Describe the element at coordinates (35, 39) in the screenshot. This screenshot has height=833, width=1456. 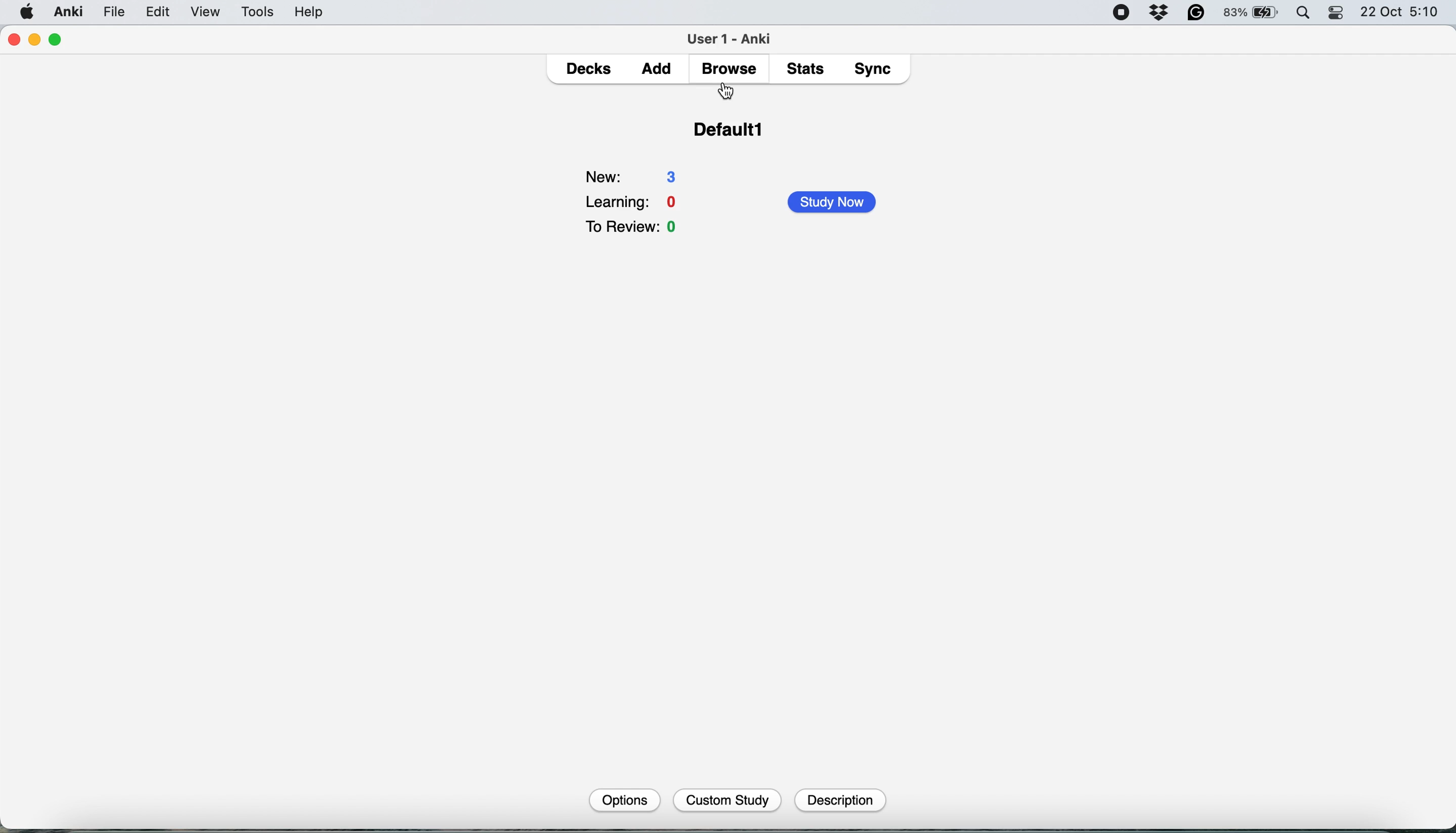
I see `minimise` at that location.